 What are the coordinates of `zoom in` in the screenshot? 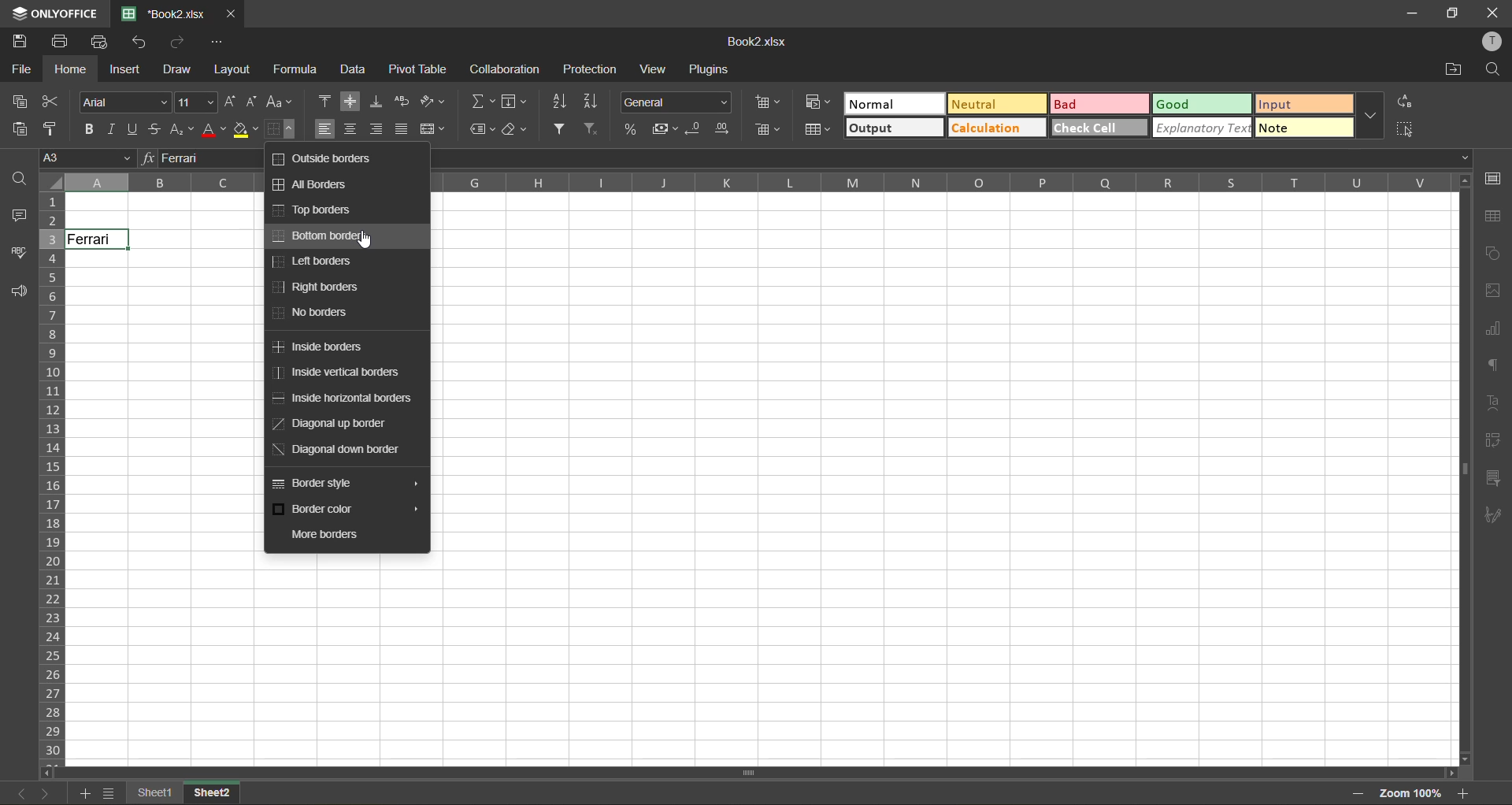 It's located at (1466, 793).